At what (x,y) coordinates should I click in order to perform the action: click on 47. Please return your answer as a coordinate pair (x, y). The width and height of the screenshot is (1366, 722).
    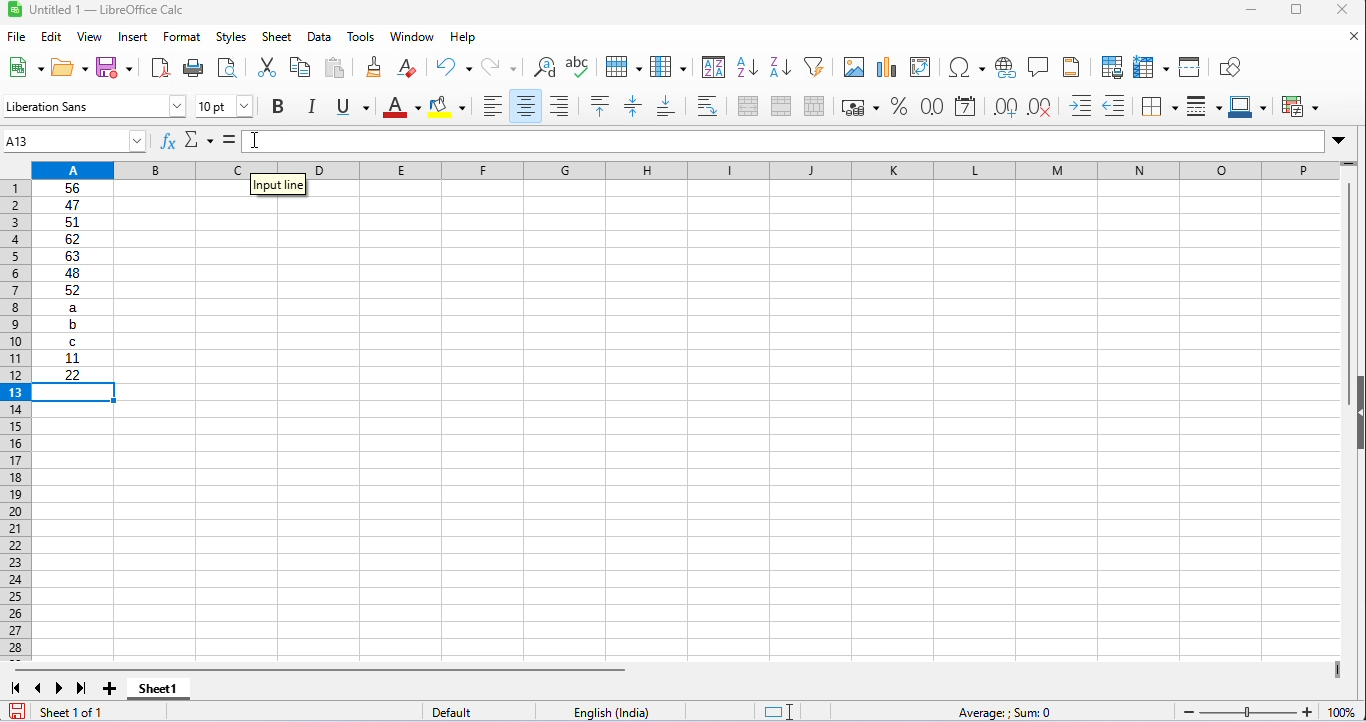
    Looking at the image, I should click on (72, 205).